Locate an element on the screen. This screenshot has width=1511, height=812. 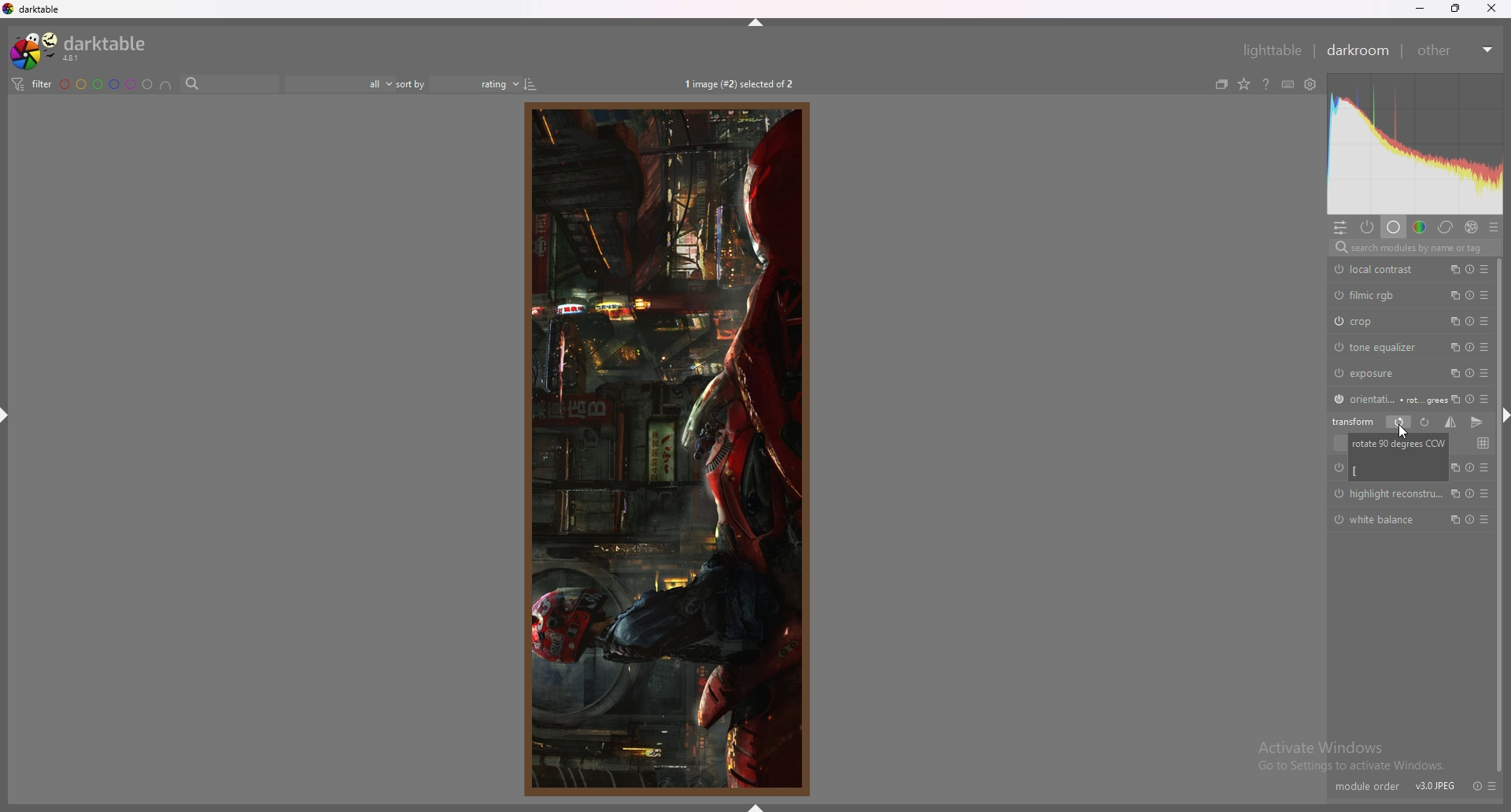
tone equalizer is located at coordinates (1378, 346).